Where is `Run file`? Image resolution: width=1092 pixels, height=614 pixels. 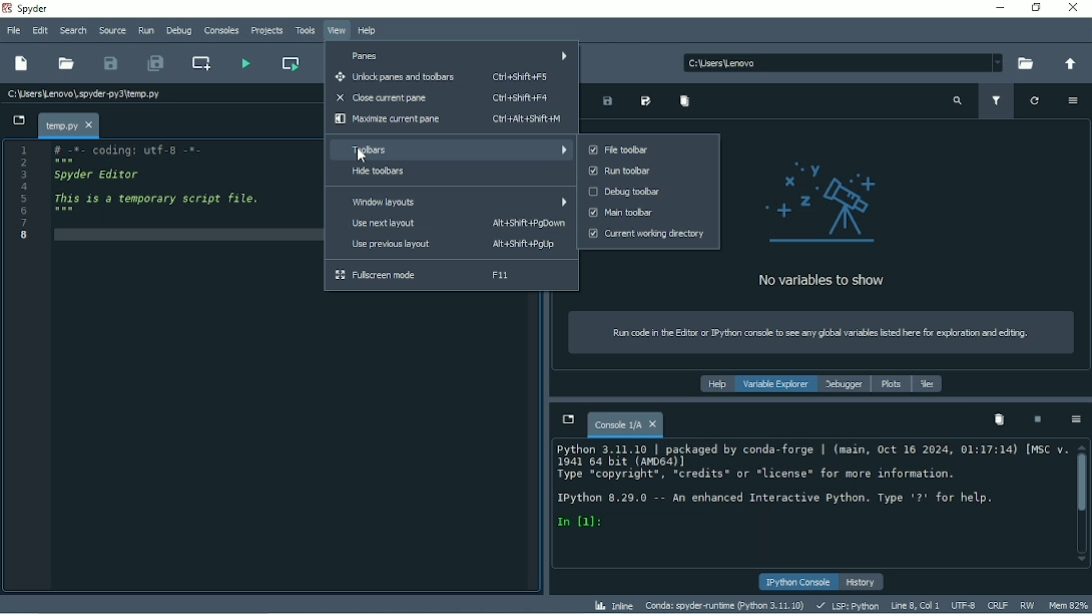 Run file is located at coordinates (245, 62).